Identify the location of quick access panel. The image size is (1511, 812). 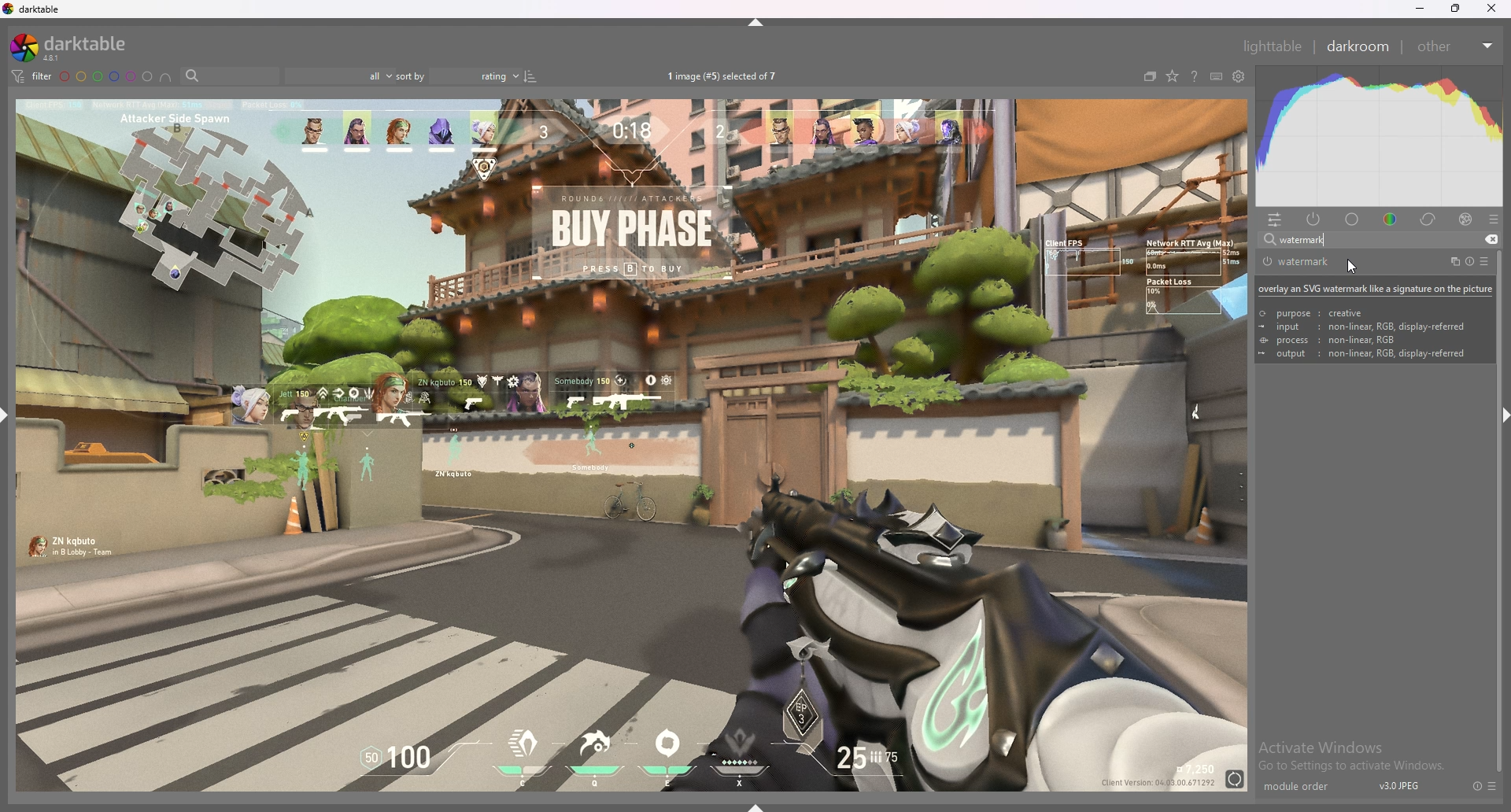
(1275, 220).